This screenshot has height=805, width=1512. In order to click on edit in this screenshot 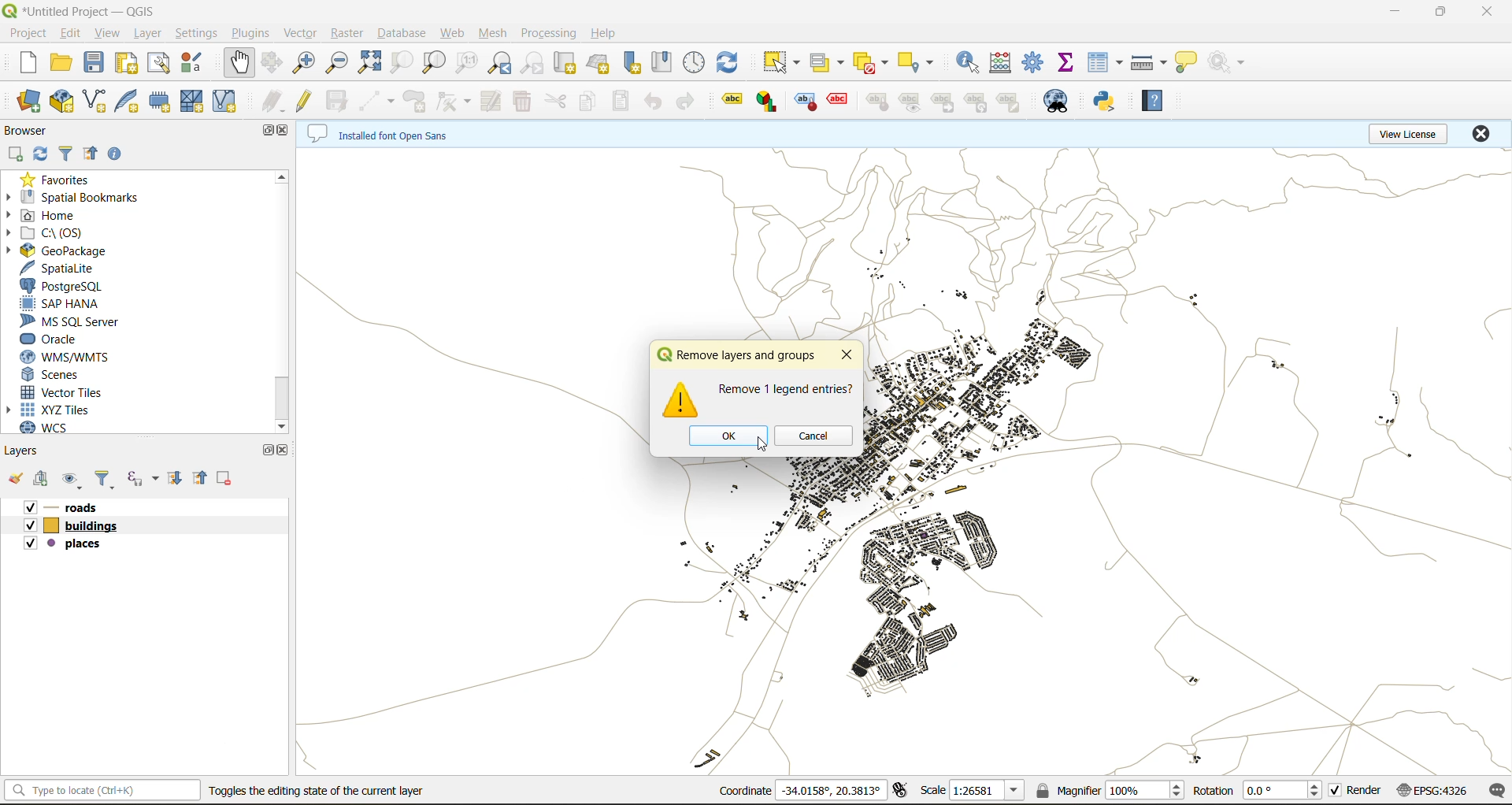, I will do `click(71, 32)`.